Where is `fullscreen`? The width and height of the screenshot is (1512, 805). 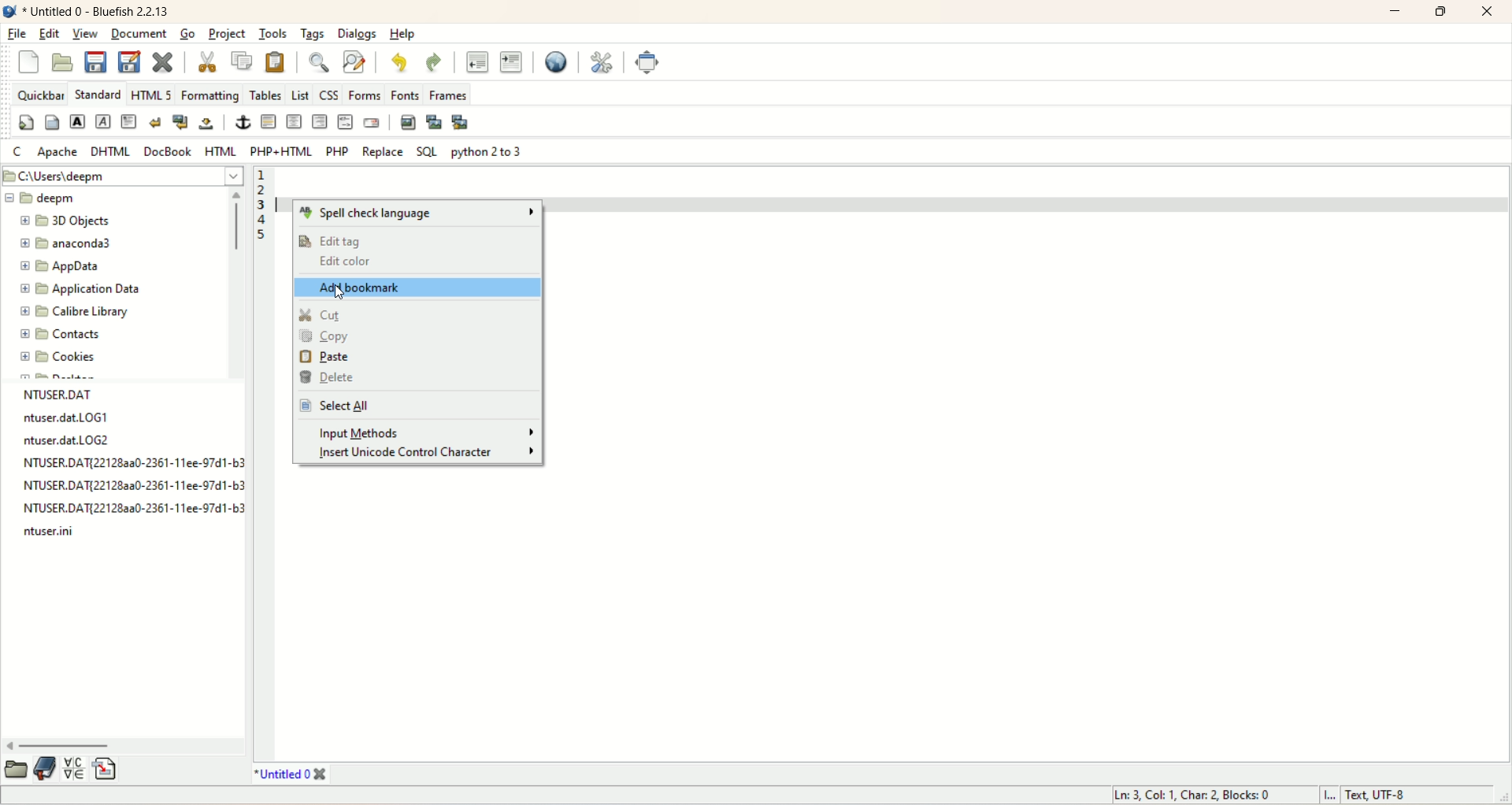
fullscreen is located at coordinates (647, 63).